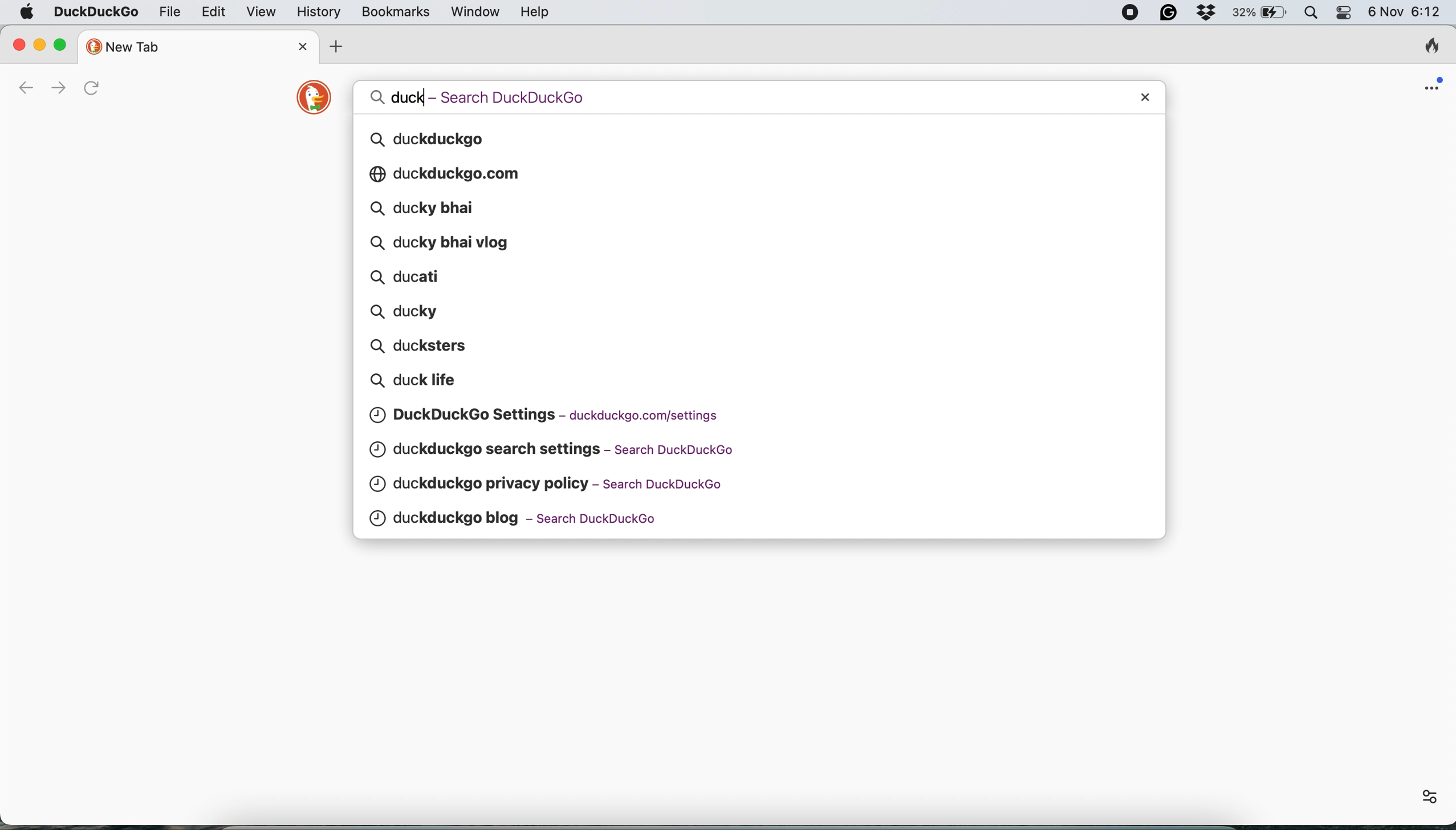  What do you see at coordinates (304, 46) in the screenshot?
I see `close` at bounding box center [304, 46].